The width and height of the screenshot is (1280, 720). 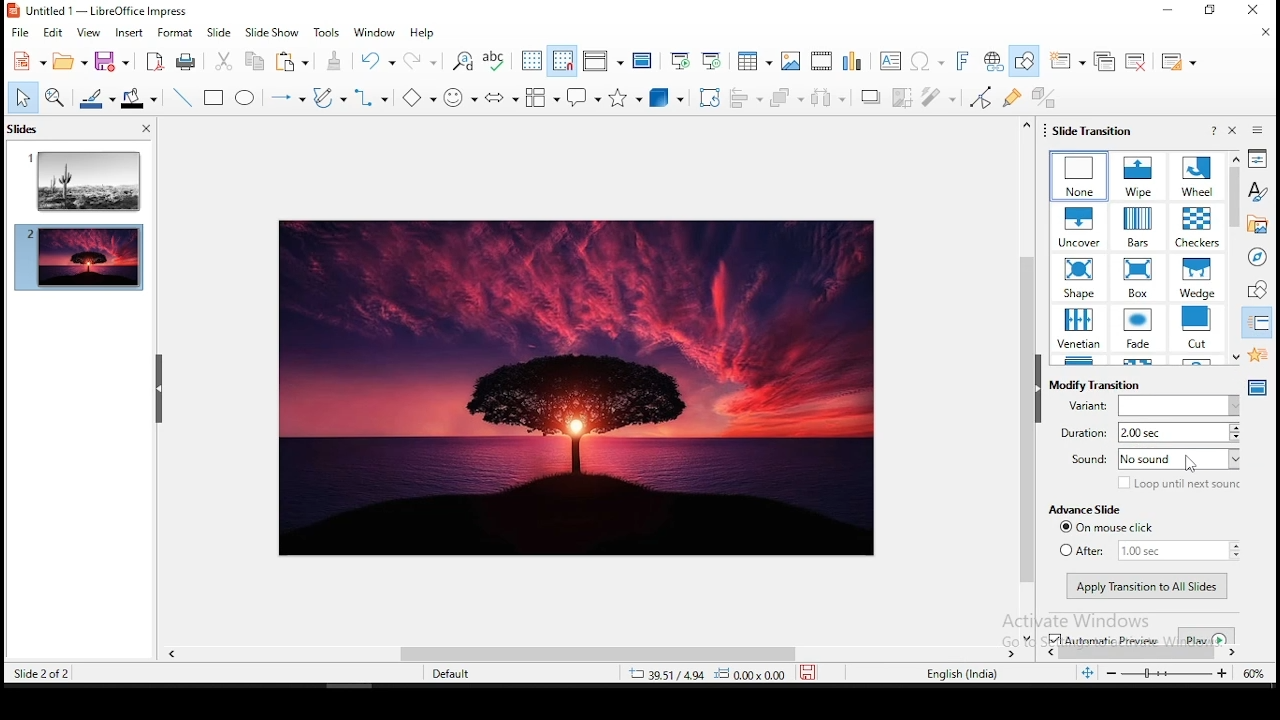 What do you see at coordinates (831, 97) in the screenshot?
I see `distribute` at bounding box center [831, 97].